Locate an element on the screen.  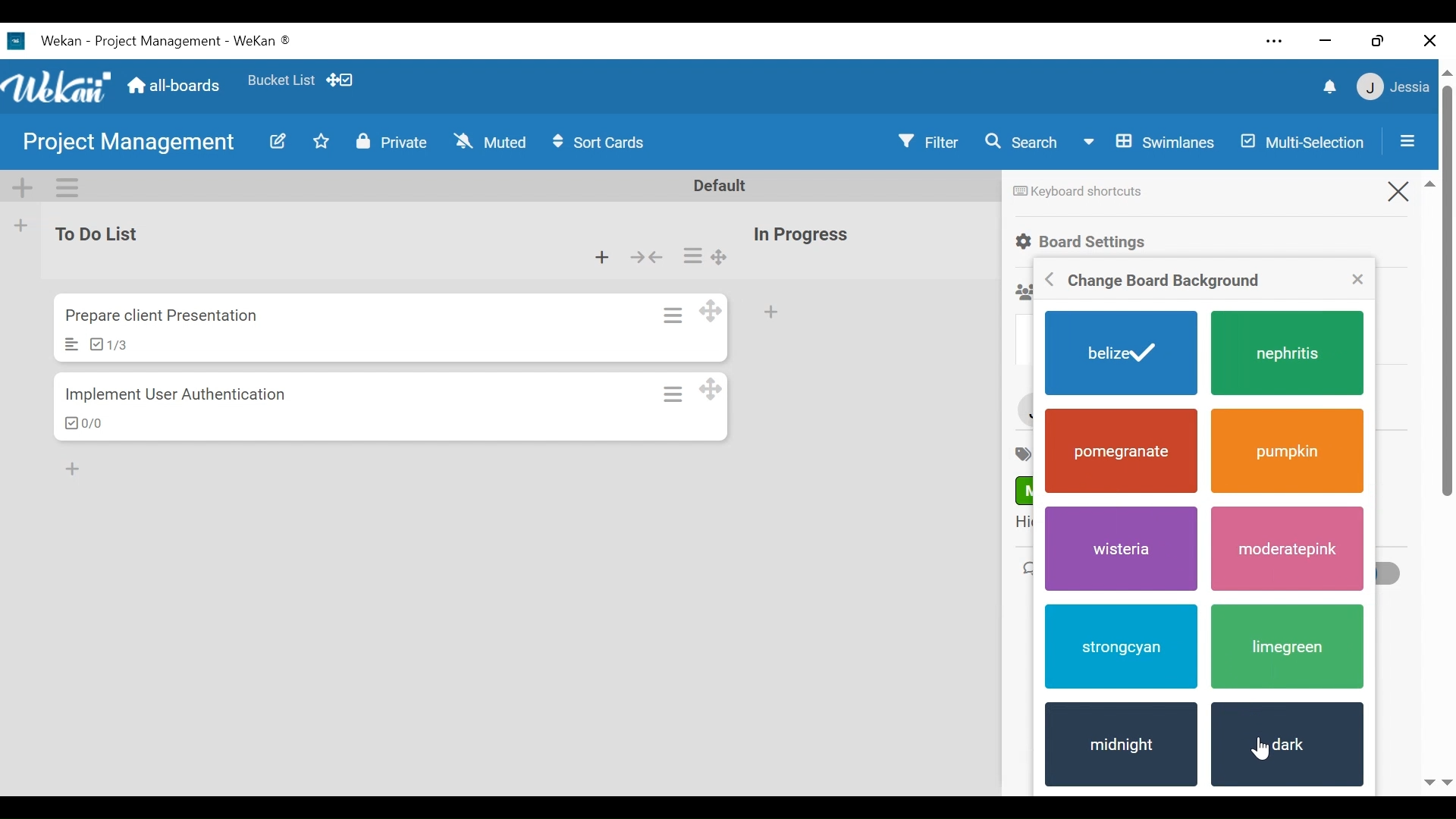
limegreen is located at coordinates (1283, 649).